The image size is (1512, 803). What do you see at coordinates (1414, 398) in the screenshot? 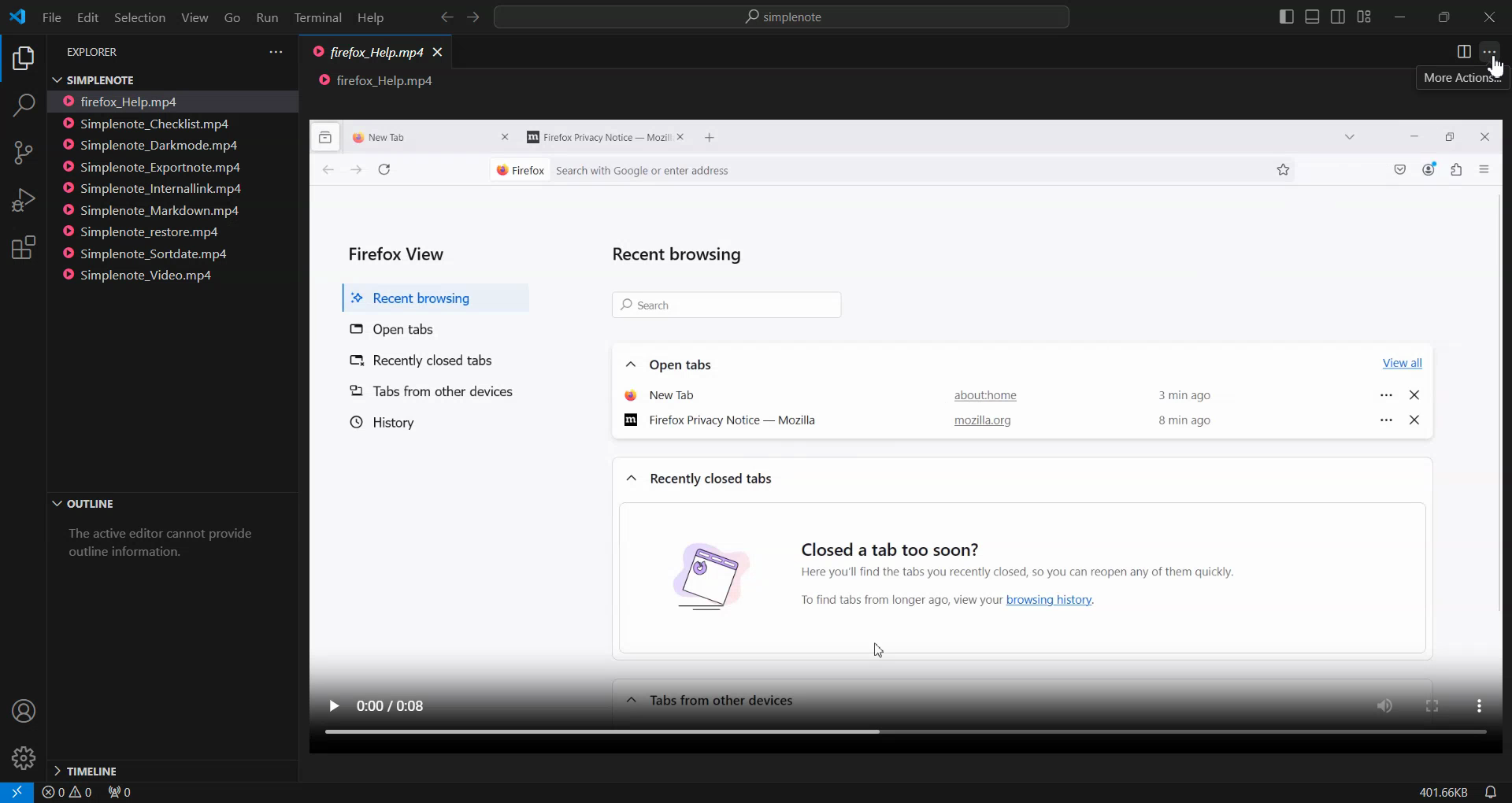
I see `close` at bounding box center [1414, 398].